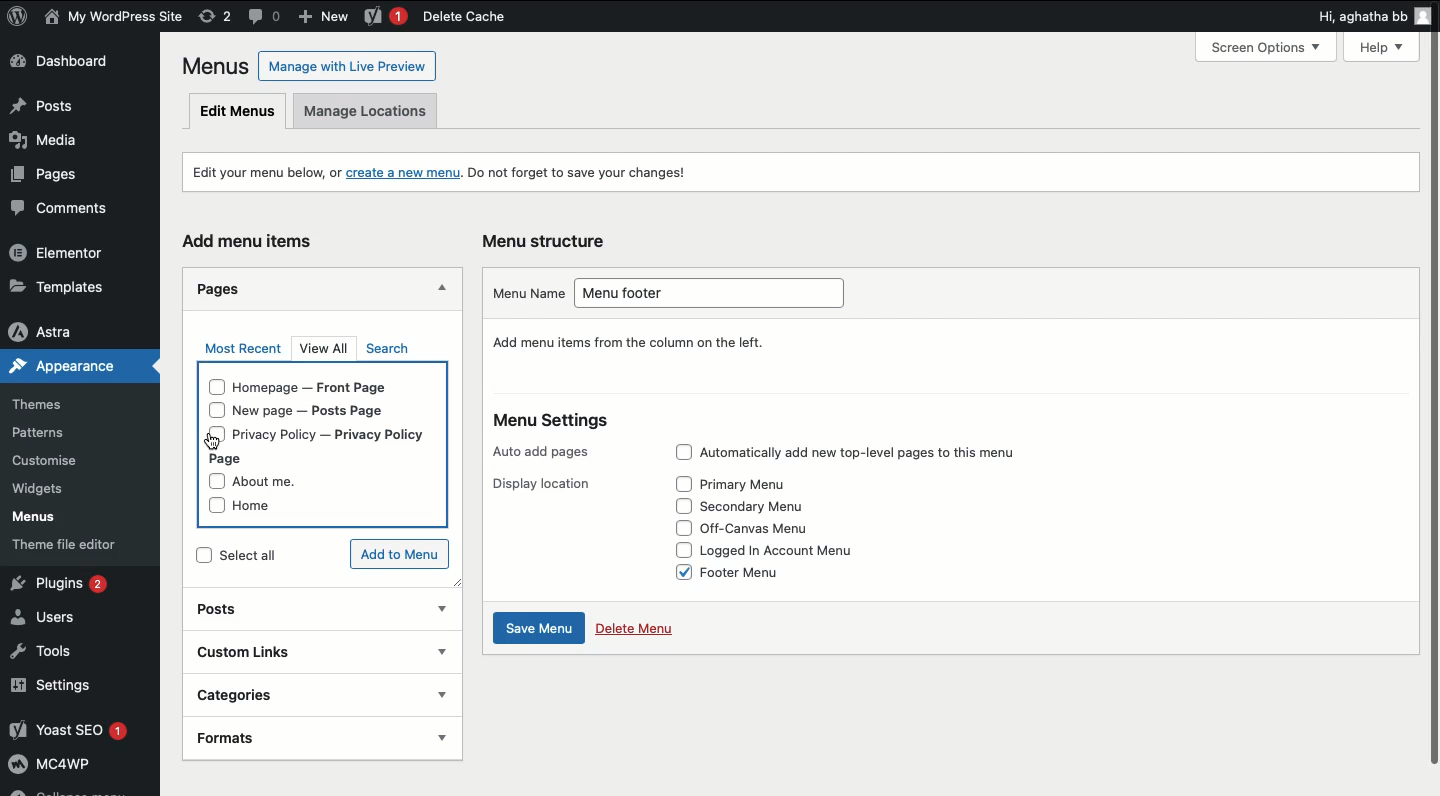 The width and height of the screenshot is (1440, 796). What do you see at coordinates (54, 429) in the screenshot?
I see `Patterns` at bounding box center [54, 429].